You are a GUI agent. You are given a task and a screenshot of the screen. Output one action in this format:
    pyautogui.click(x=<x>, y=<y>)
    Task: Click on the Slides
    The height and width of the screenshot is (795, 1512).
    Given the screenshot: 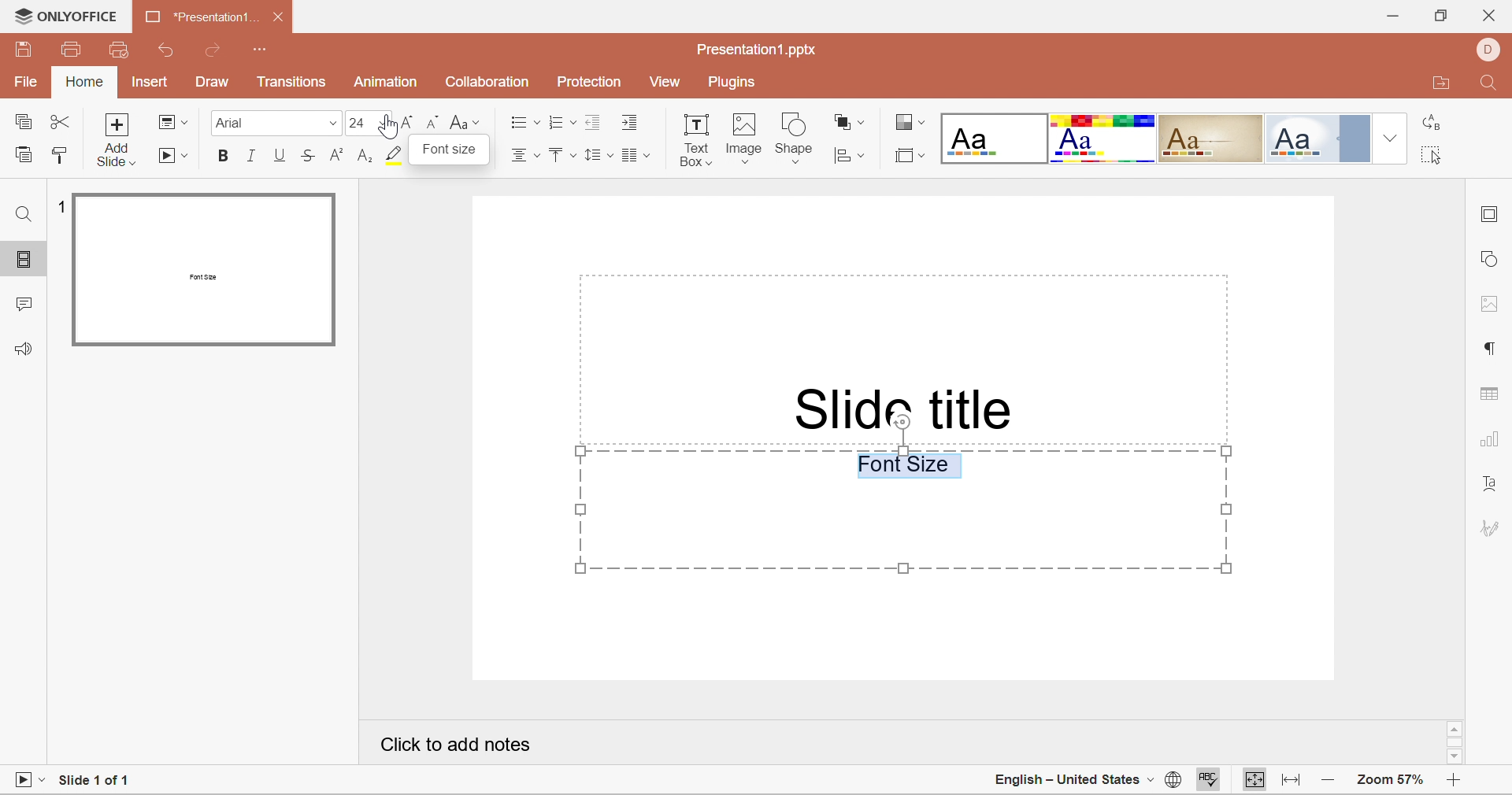 What is the action you would take?
    pyautogui.click(x=26, y=261)
    